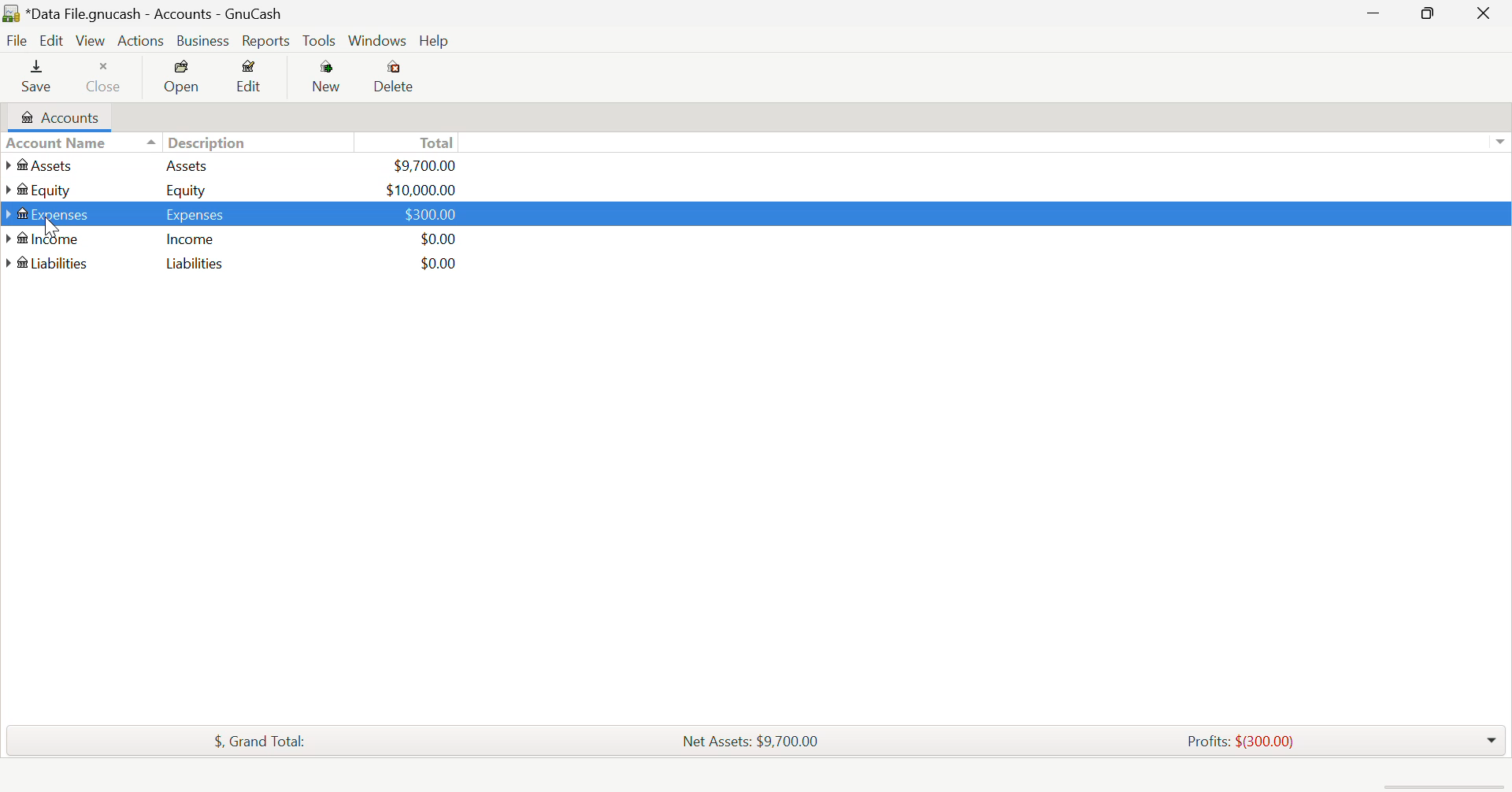 This screenshot has height=792, width=1512. I want to click on Minimize Window, so click(1430, 13).